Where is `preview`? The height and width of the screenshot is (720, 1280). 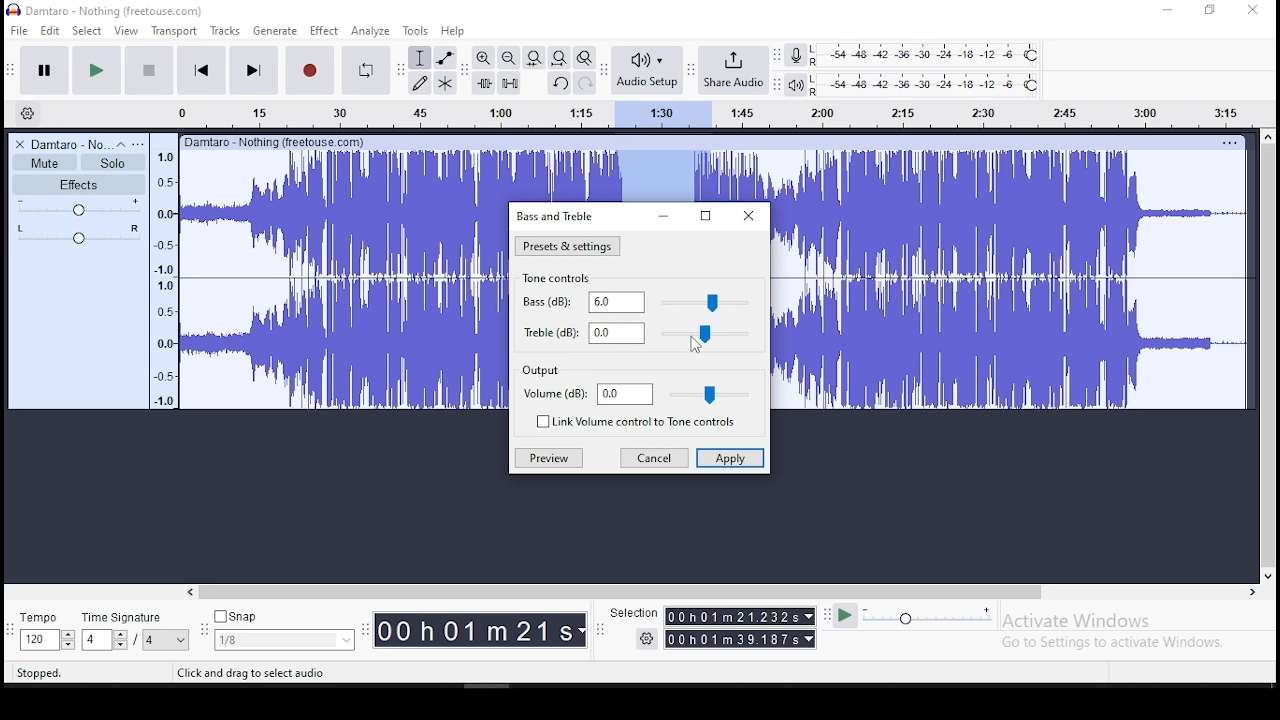 preview is located at coordinates (548, 458).